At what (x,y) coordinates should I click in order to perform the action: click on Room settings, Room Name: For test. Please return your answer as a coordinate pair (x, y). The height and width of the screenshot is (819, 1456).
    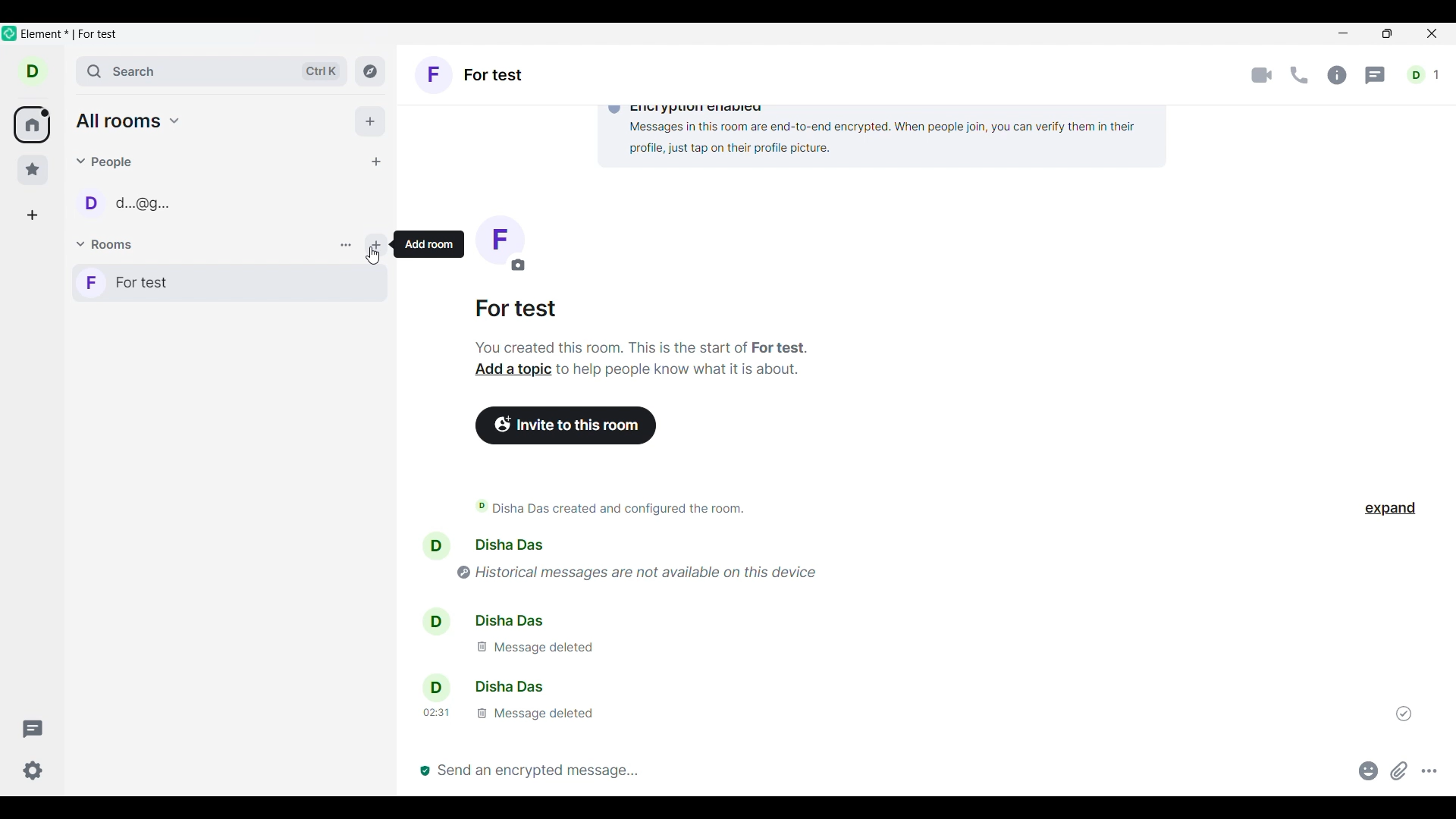
    Looking at the image, I should click on (472, 74).